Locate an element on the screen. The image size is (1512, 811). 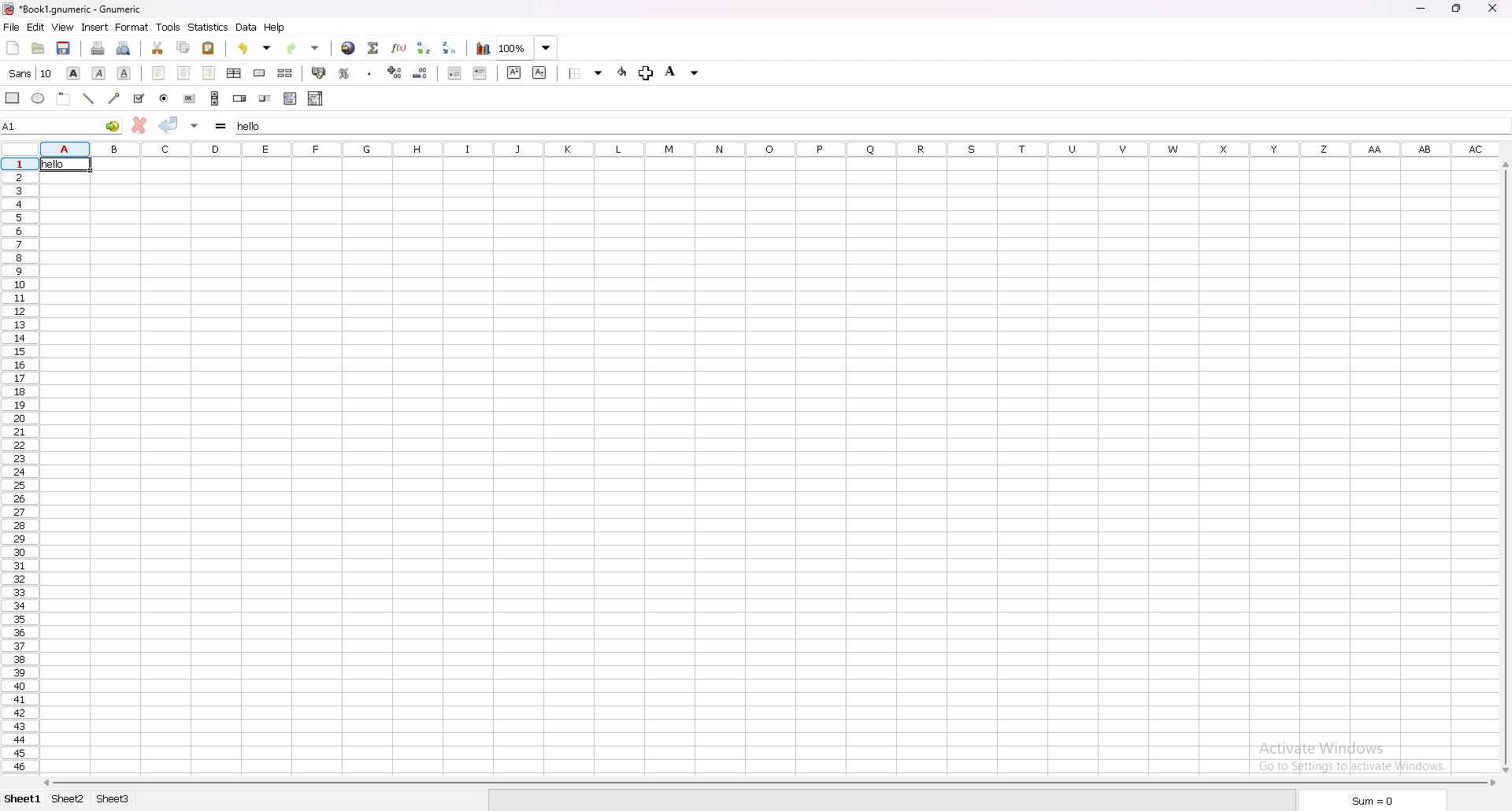
split merged cells is located at coordinates (286, 72).